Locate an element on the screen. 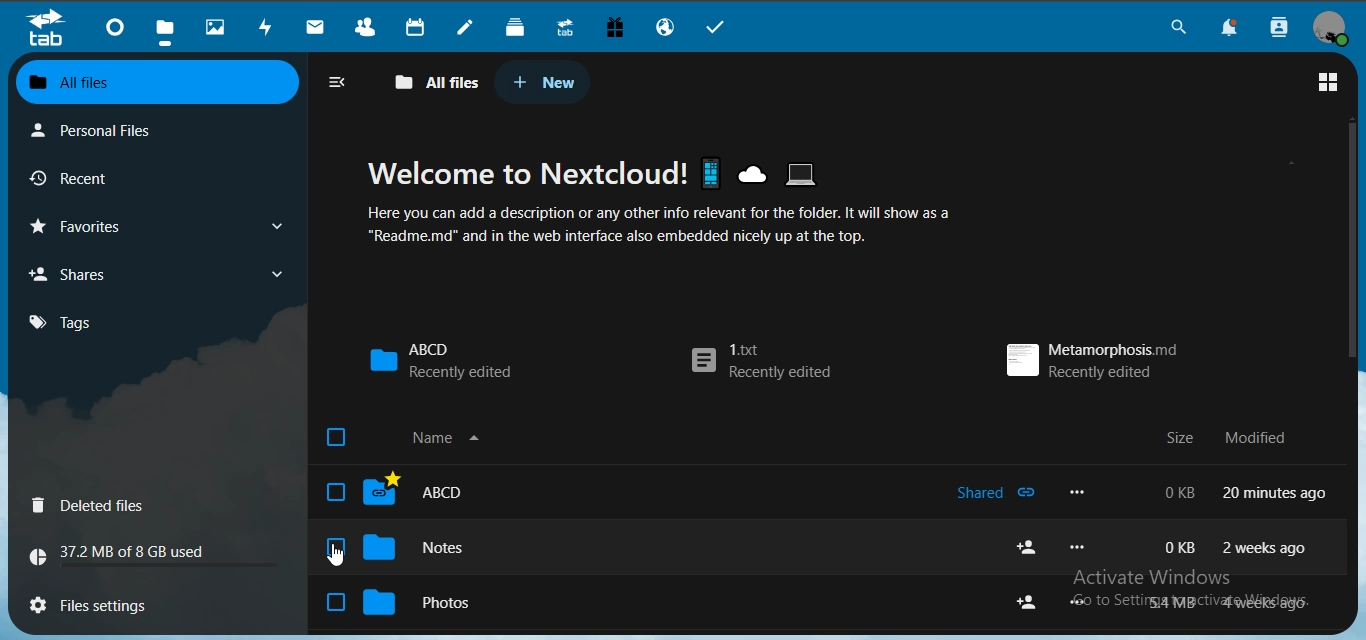 Image resolution: width=1366 pixels, height=640 pixels. search is located at coordinates (1176, 27).